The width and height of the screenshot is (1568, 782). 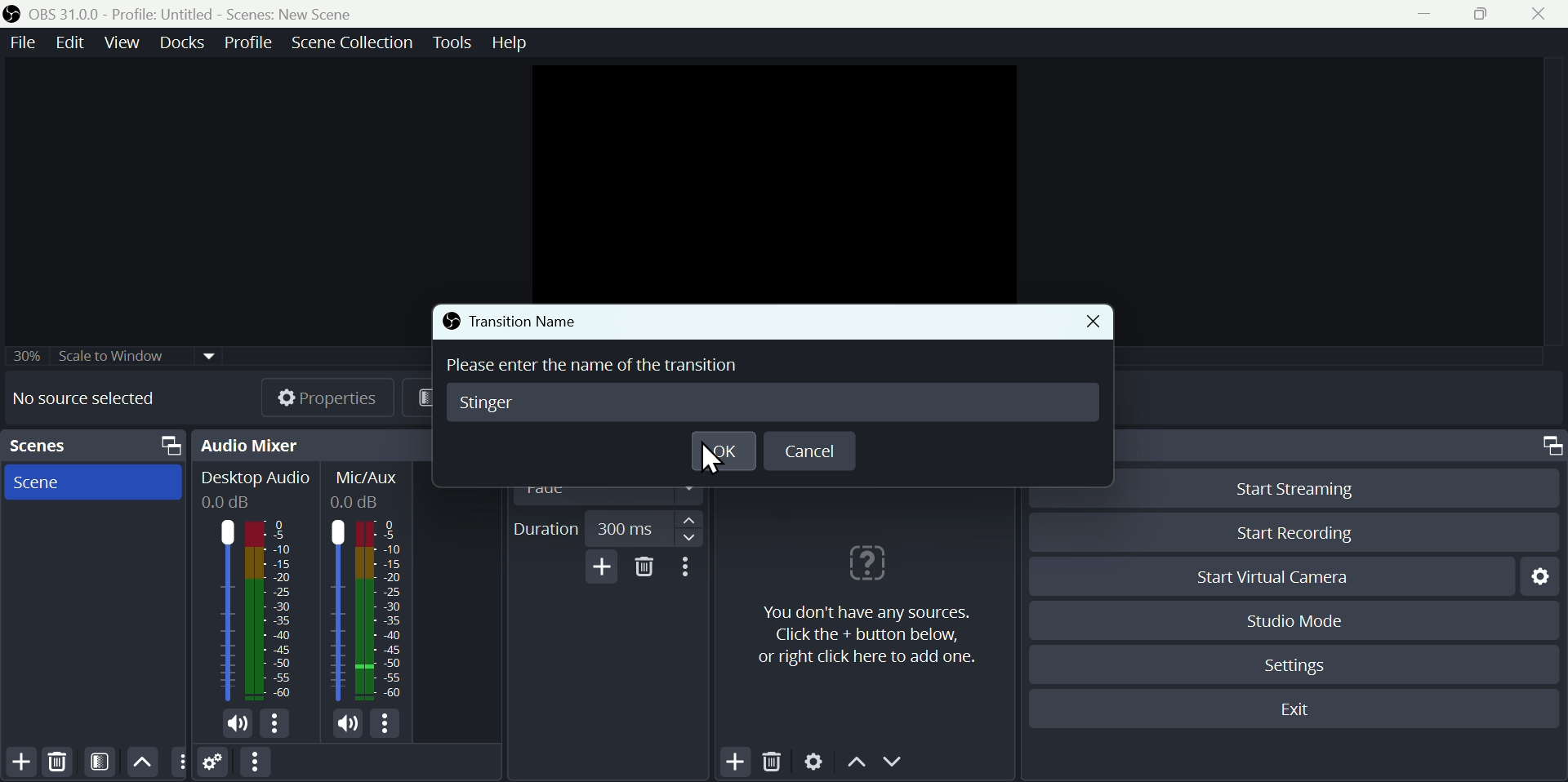 I want to click on Settings, so click(x=214, y=765).